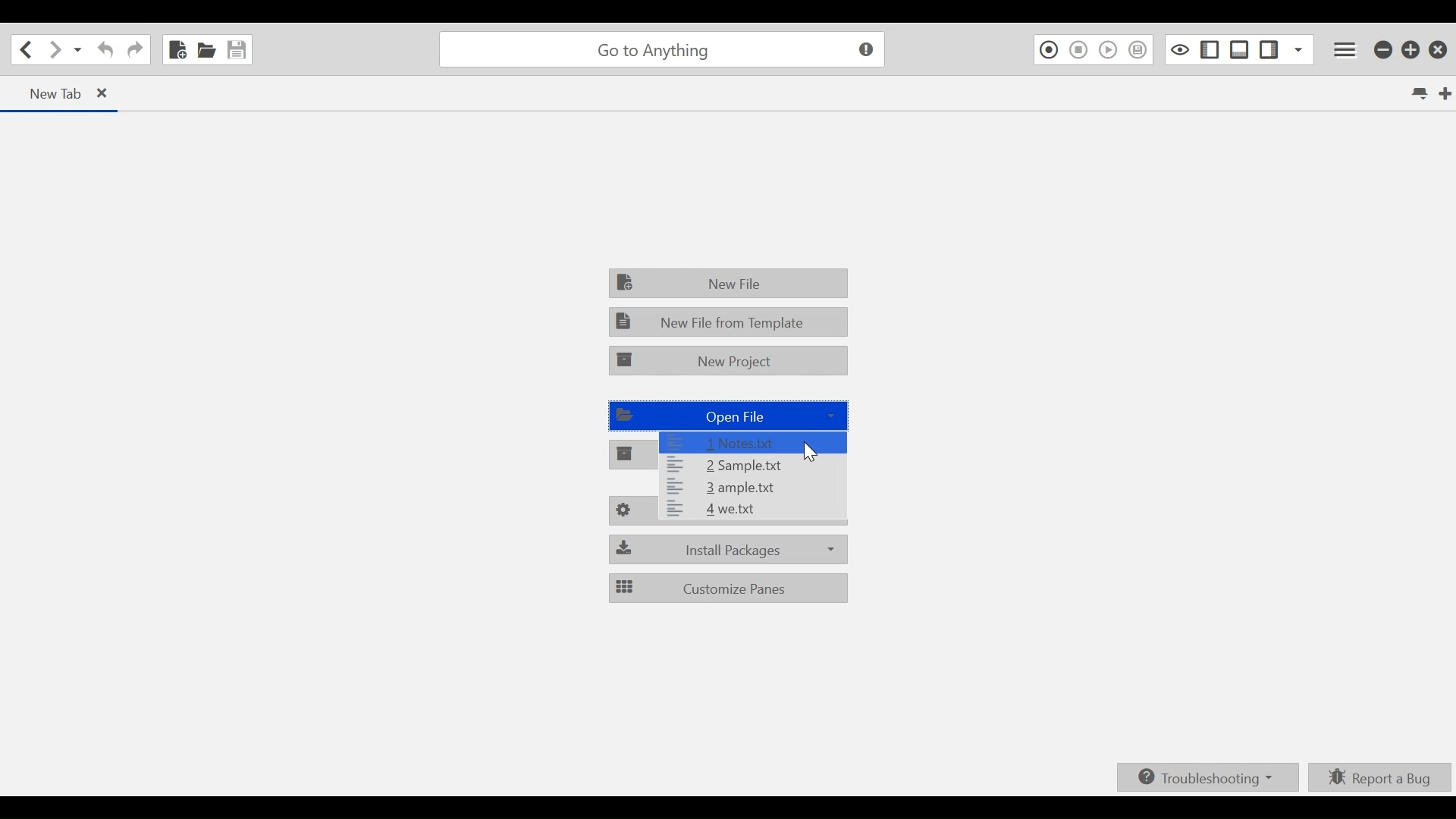 The width and height of the screenshot is (1456, 819). I want to click on Show/Hide Left Pane, so click(1212, 49).